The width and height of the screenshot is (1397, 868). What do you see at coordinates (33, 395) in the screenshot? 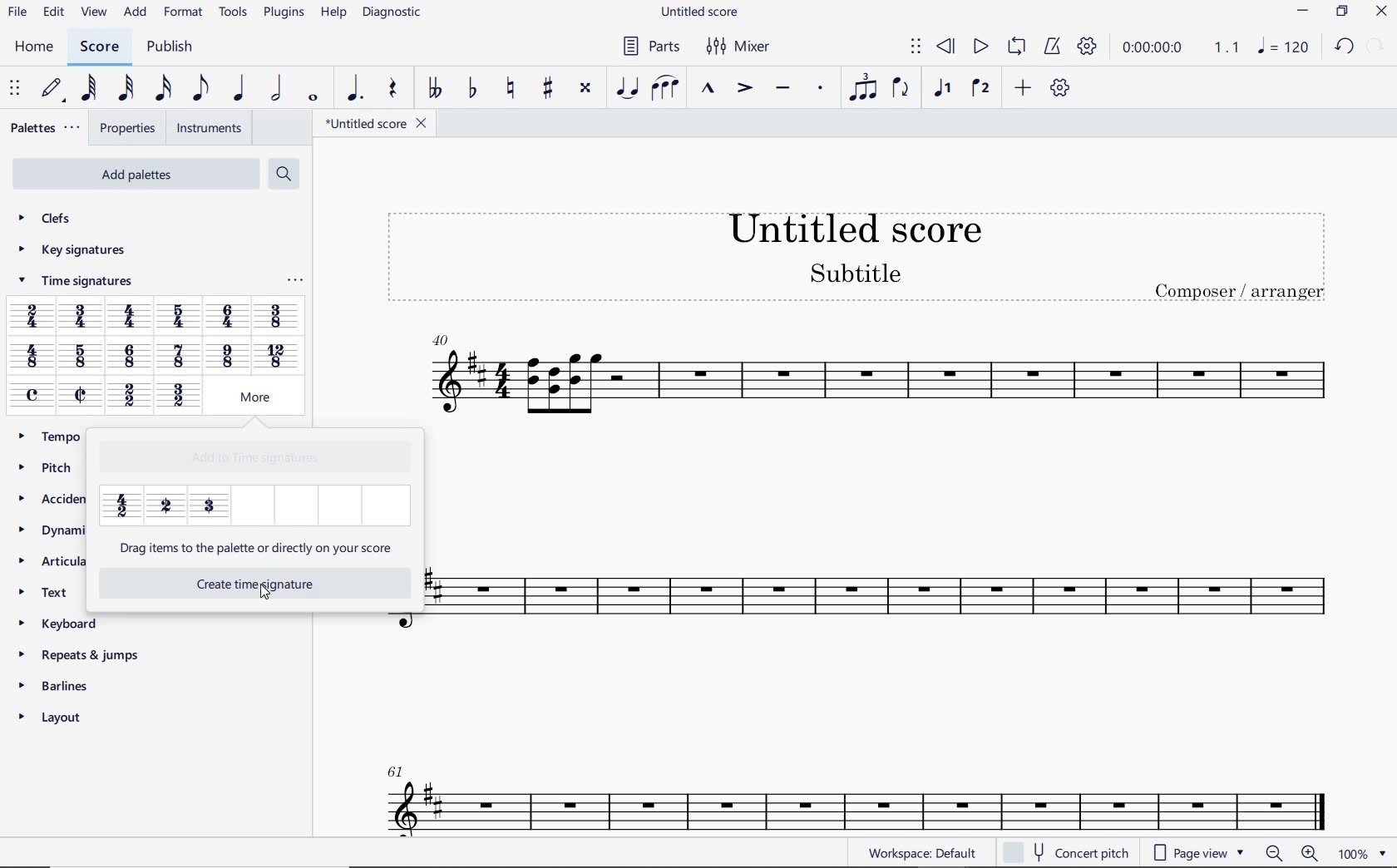
I see `common time` at bounding box center [33, 395].